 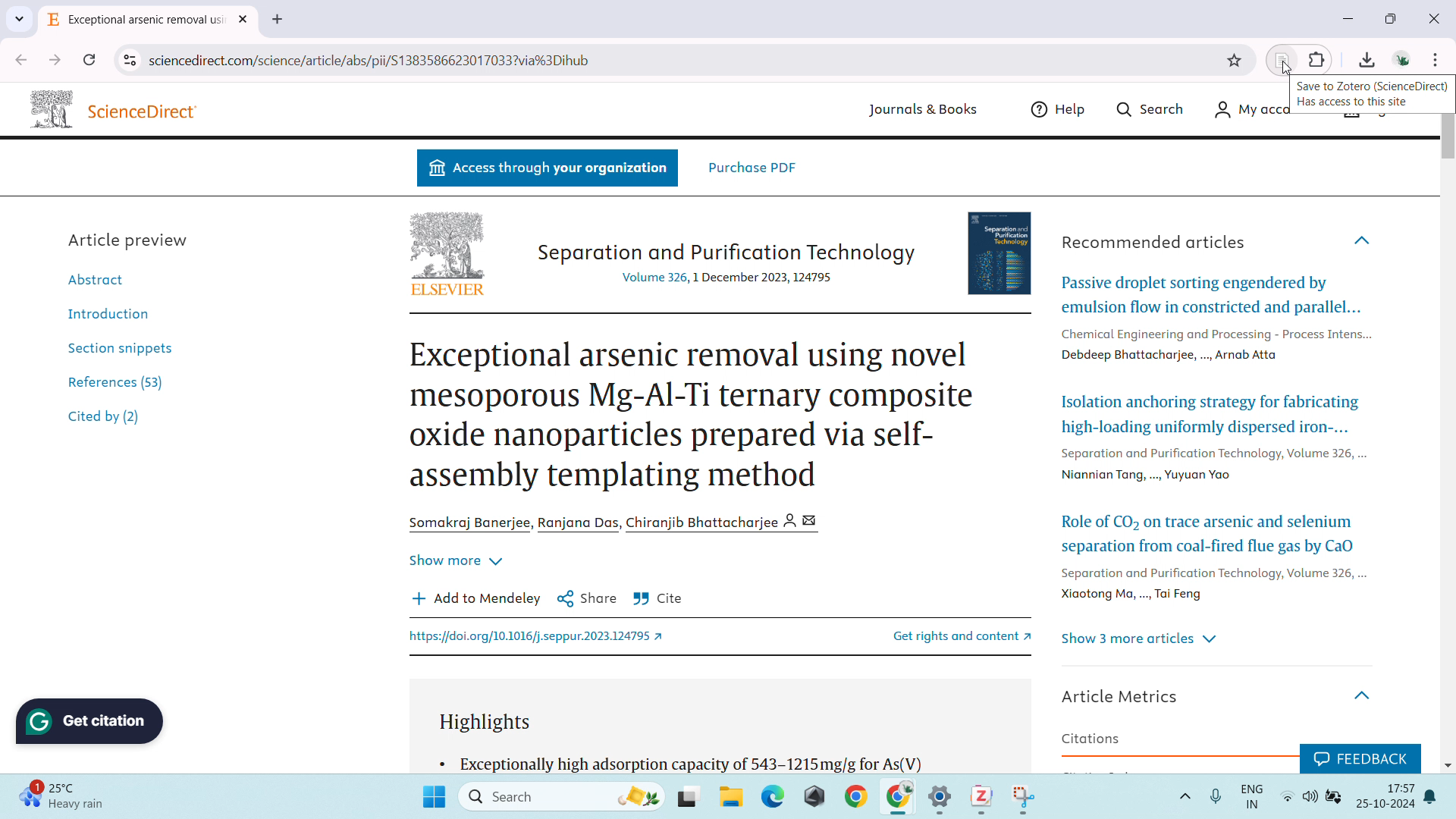 What do you see at coordinates (1125, 695) in the screenshot?
I see `Article Metrics` at bounding box center [1125, 695].